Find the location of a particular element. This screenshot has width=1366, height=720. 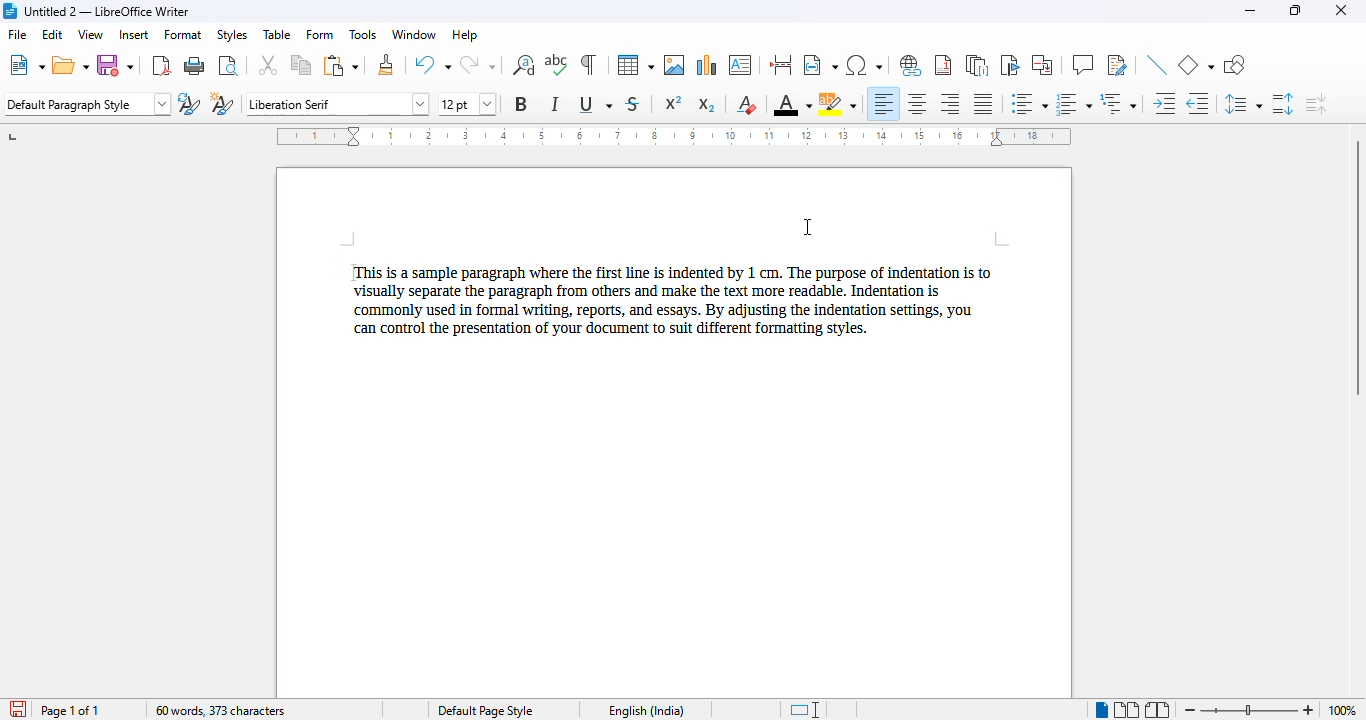

minimize is located at coordinates (1249, 11).